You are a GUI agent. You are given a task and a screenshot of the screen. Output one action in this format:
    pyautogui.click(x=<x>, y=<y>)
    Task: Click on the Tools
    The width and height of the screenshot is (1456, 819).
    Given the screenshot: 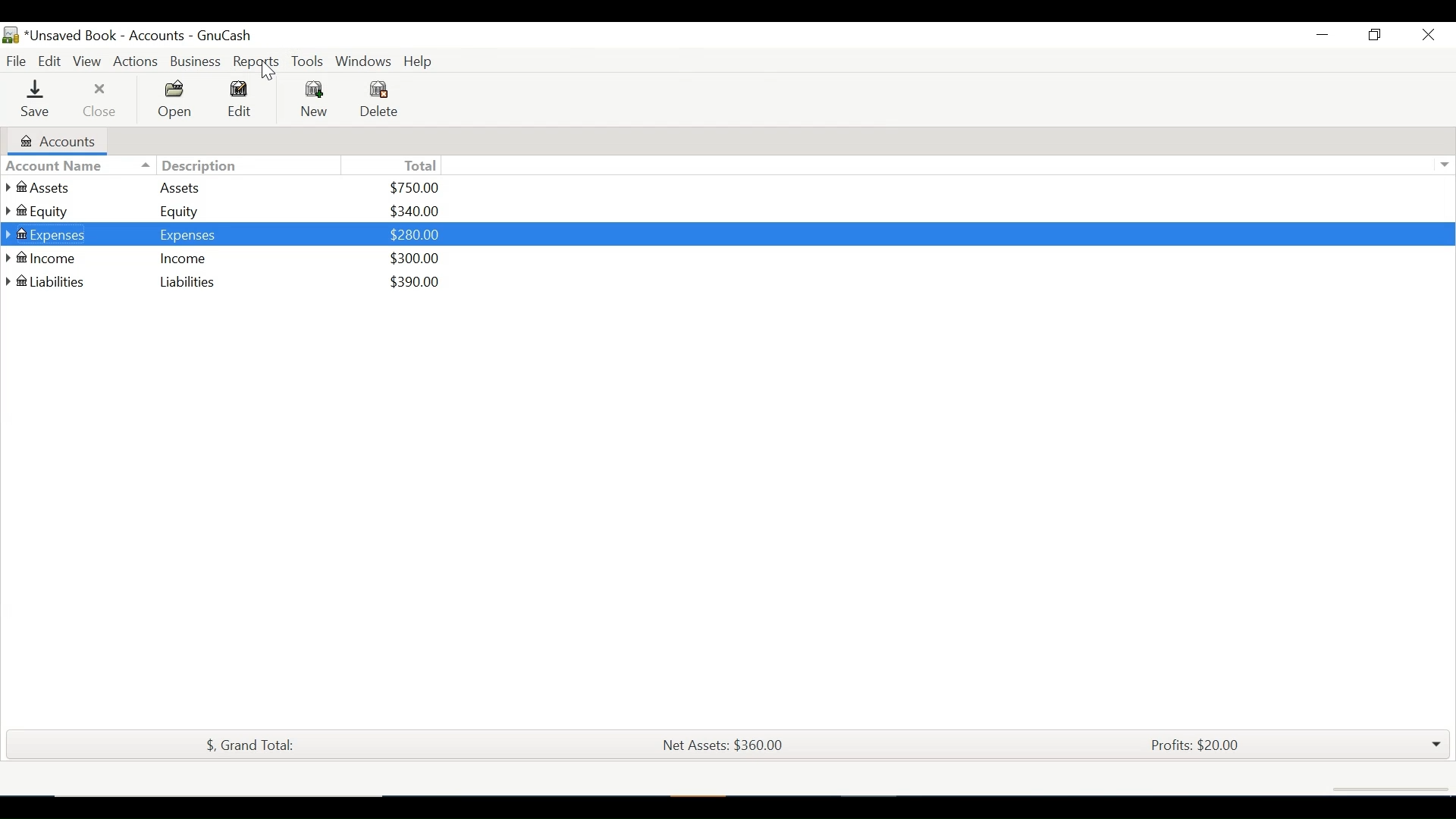 What is the action you would take?
    pyautogui.click(x=303, y=61)
    